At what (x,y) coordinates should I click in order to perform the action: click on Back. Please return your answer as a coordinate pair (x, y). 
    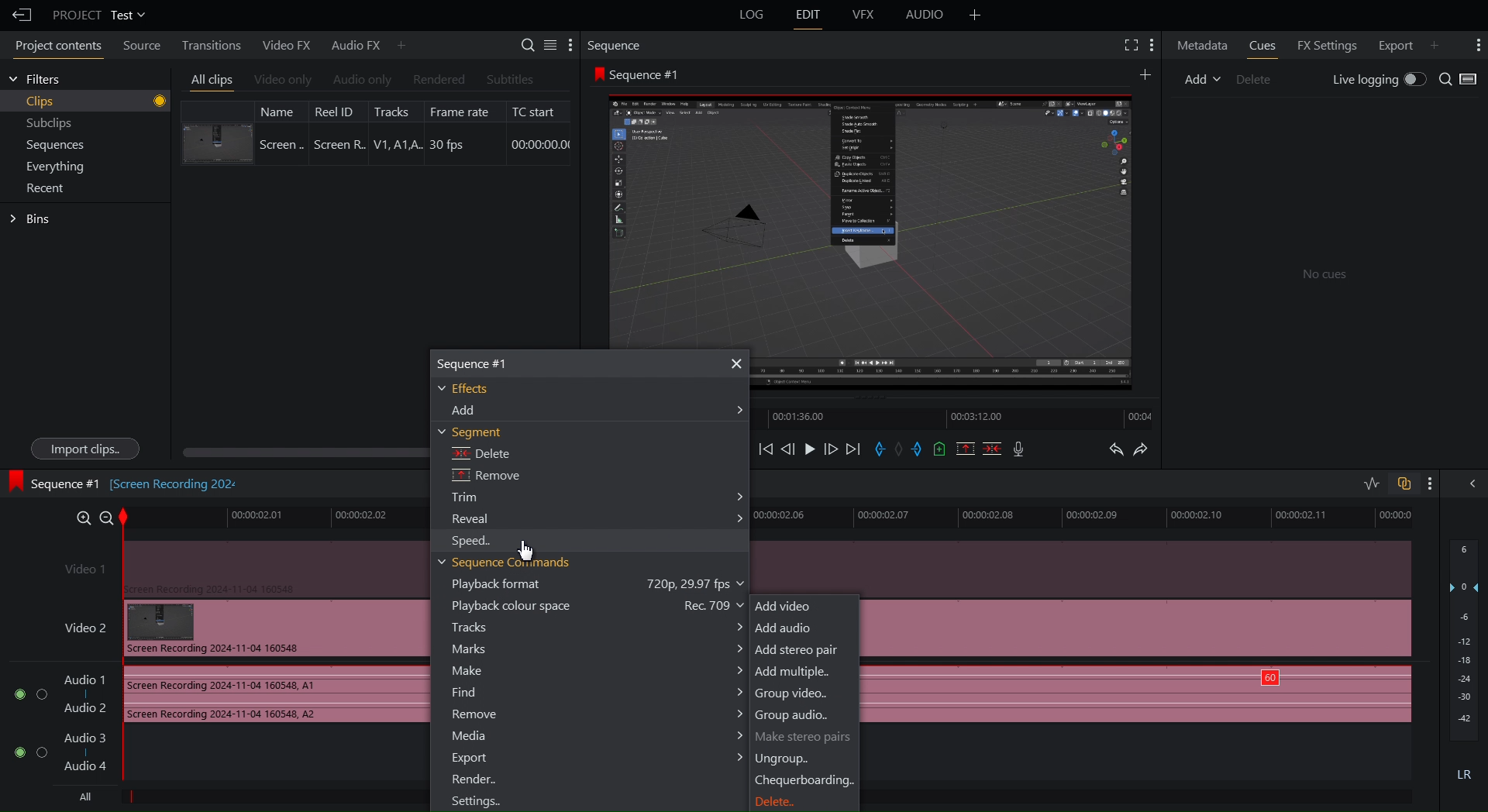
    Looking at the image, I should click on (18, 15).